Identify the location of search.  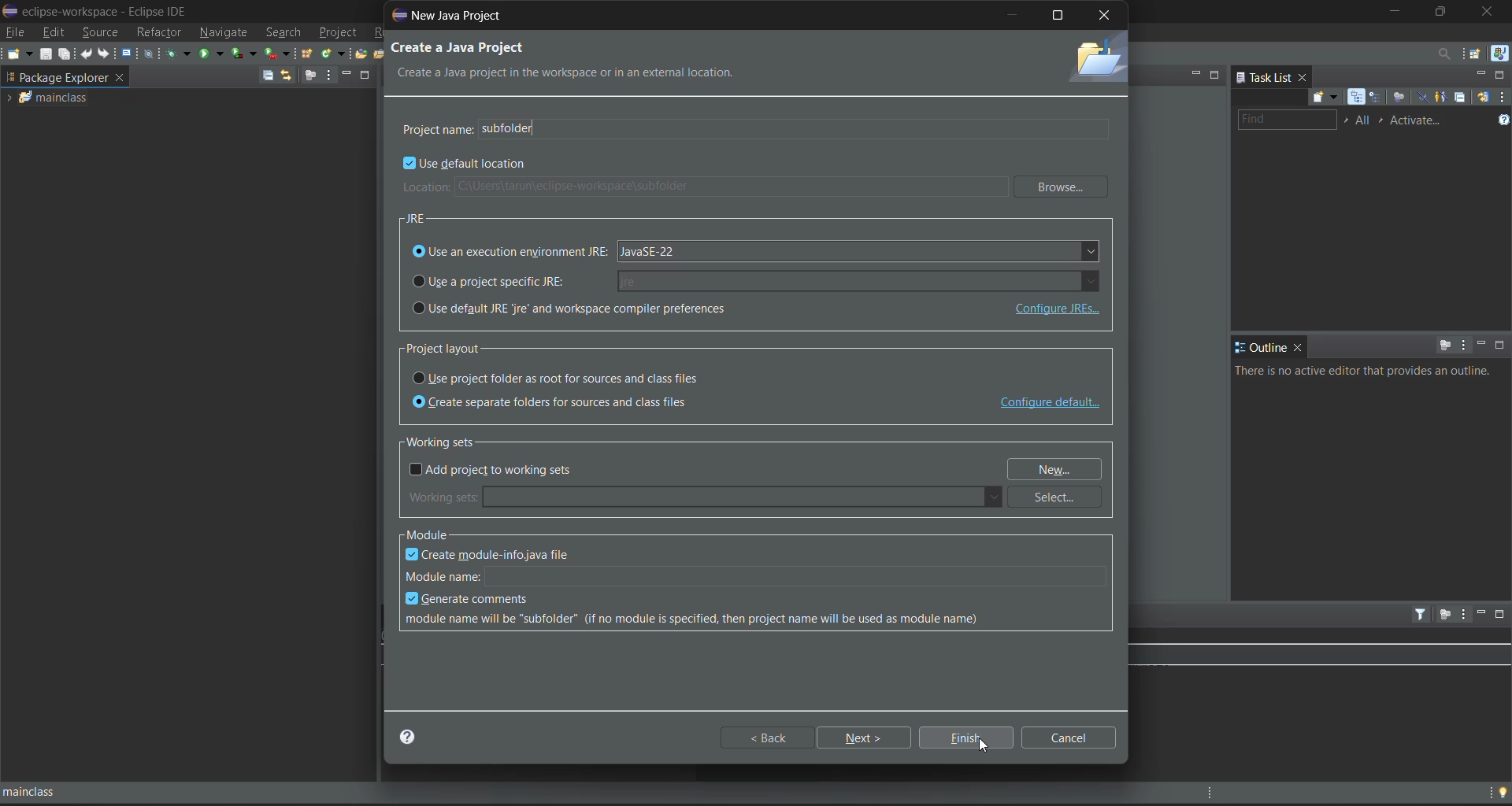
(283, 33).